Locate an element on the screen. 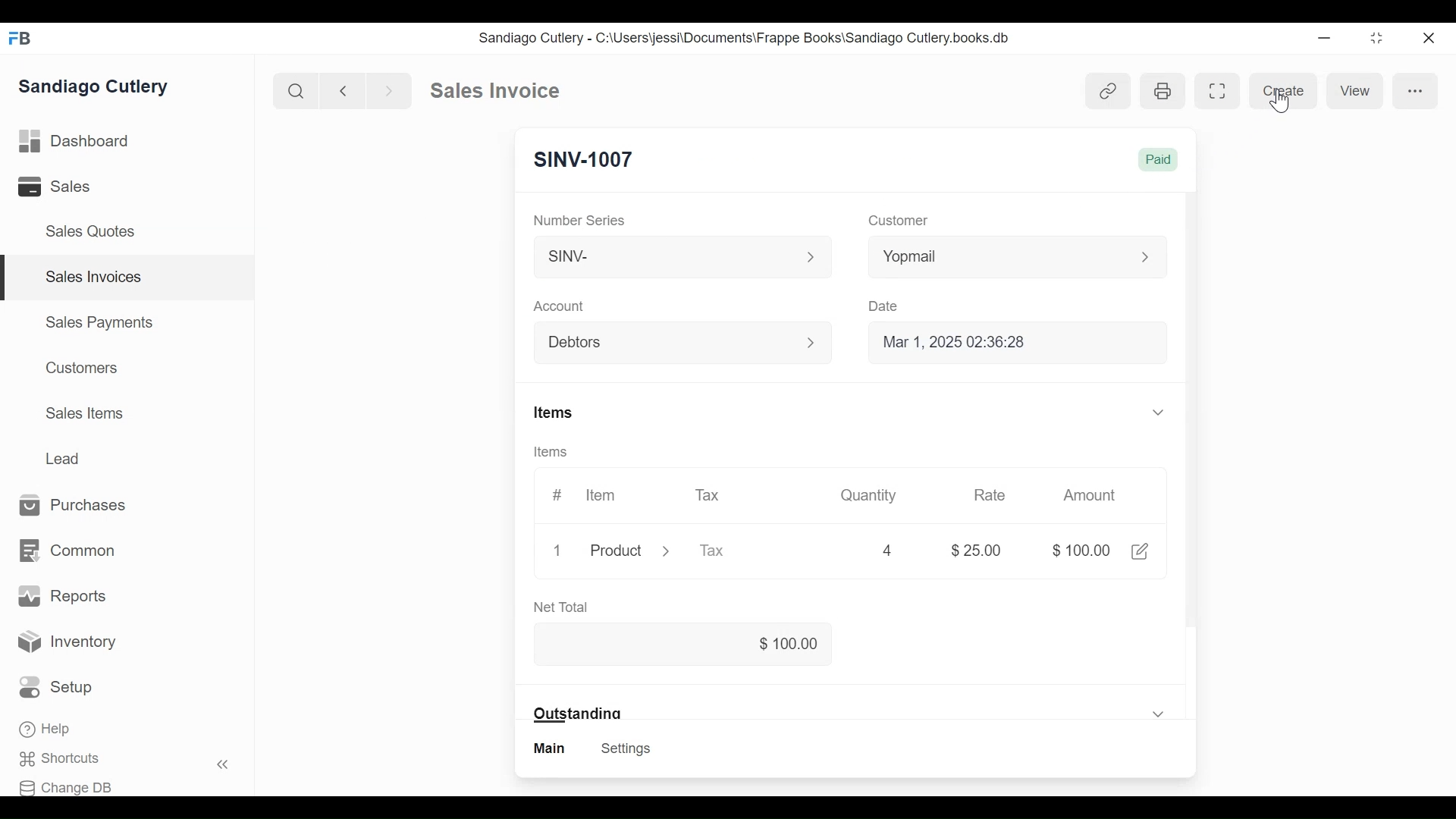 The width and height of the screenshot is (1456, 819). Search is located at coordinates (296, 89).